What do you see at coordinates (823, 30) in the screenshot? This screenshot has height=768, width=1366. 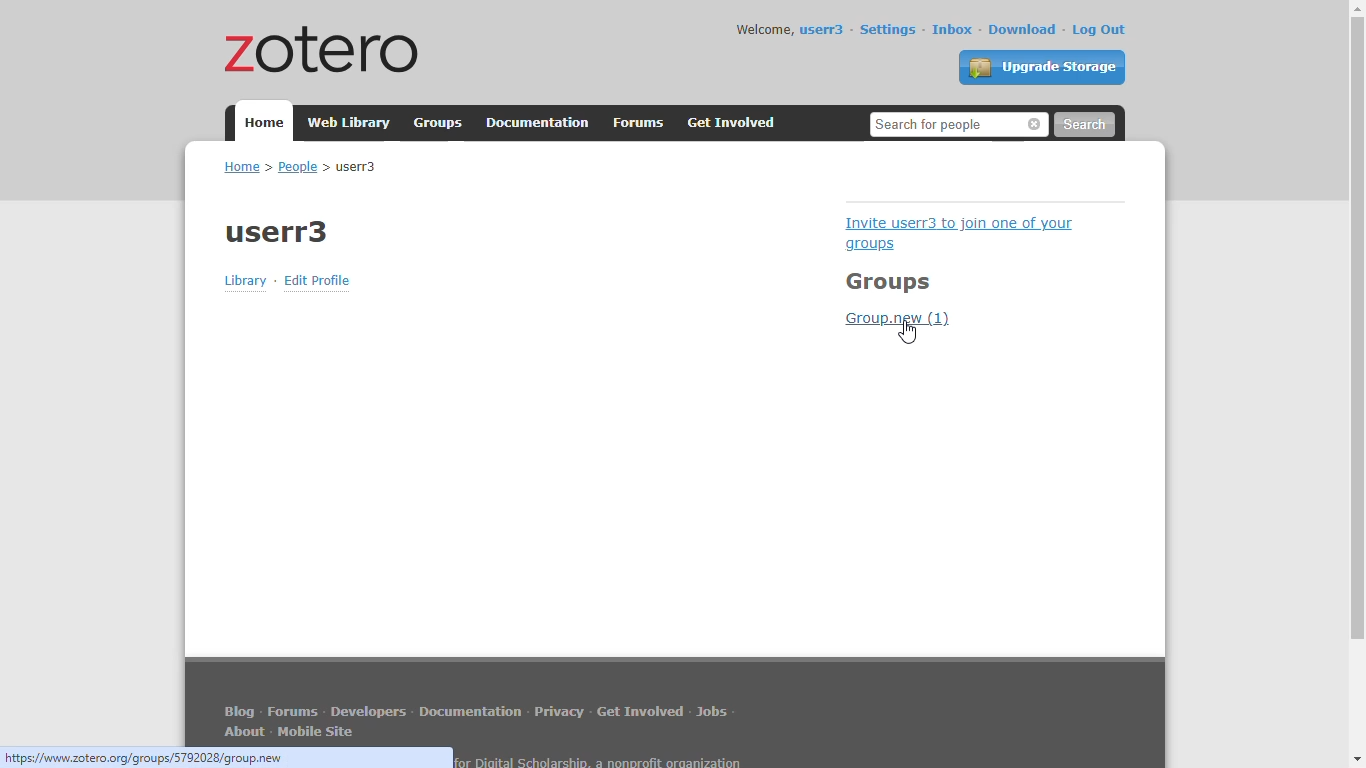 I see `userr3` at bounding box center [823, 30].